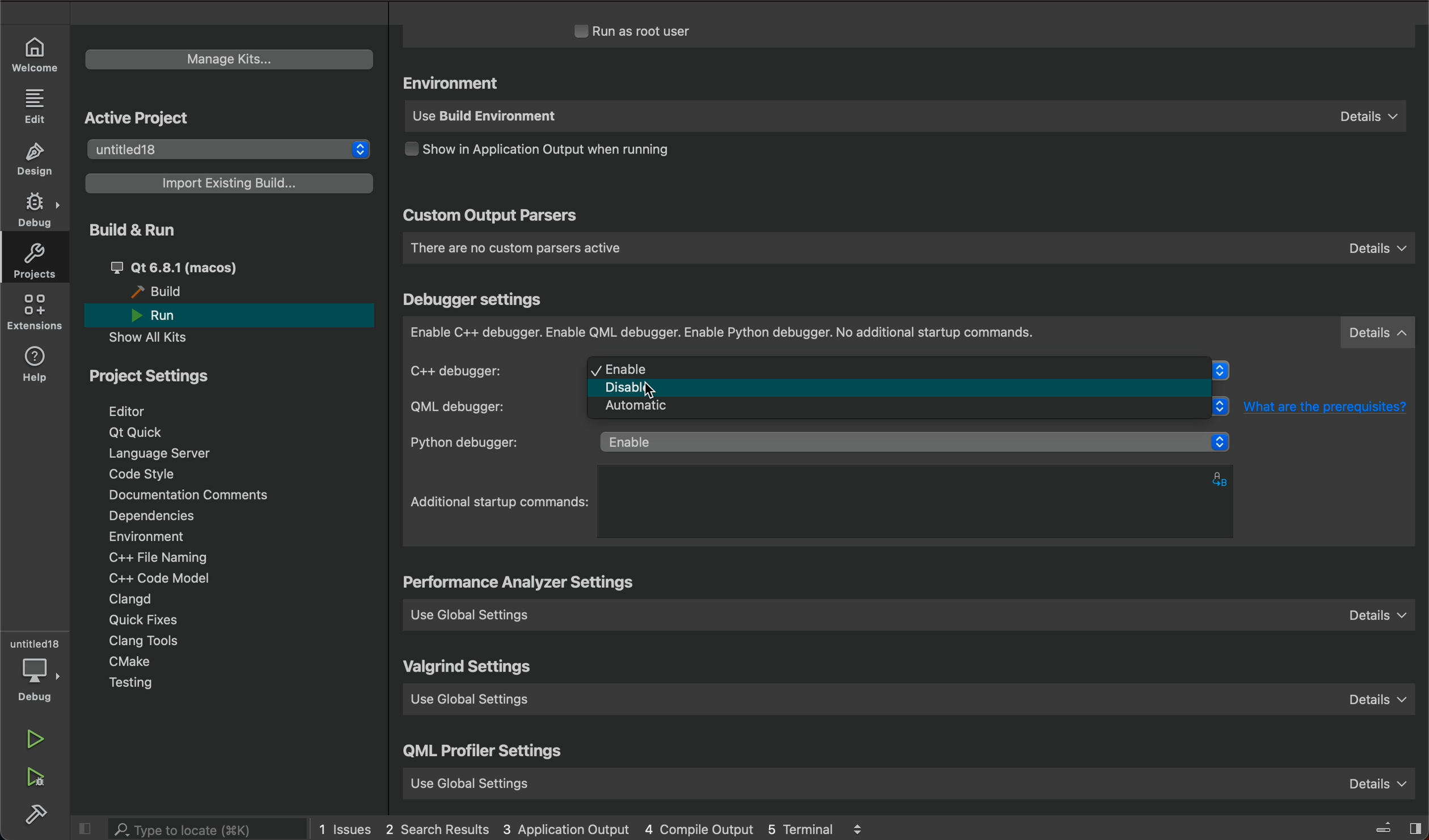  What do you see at coordinates (35, 53) in the screenshot?
I see `WELCOME` at bounding box center [35, 53].